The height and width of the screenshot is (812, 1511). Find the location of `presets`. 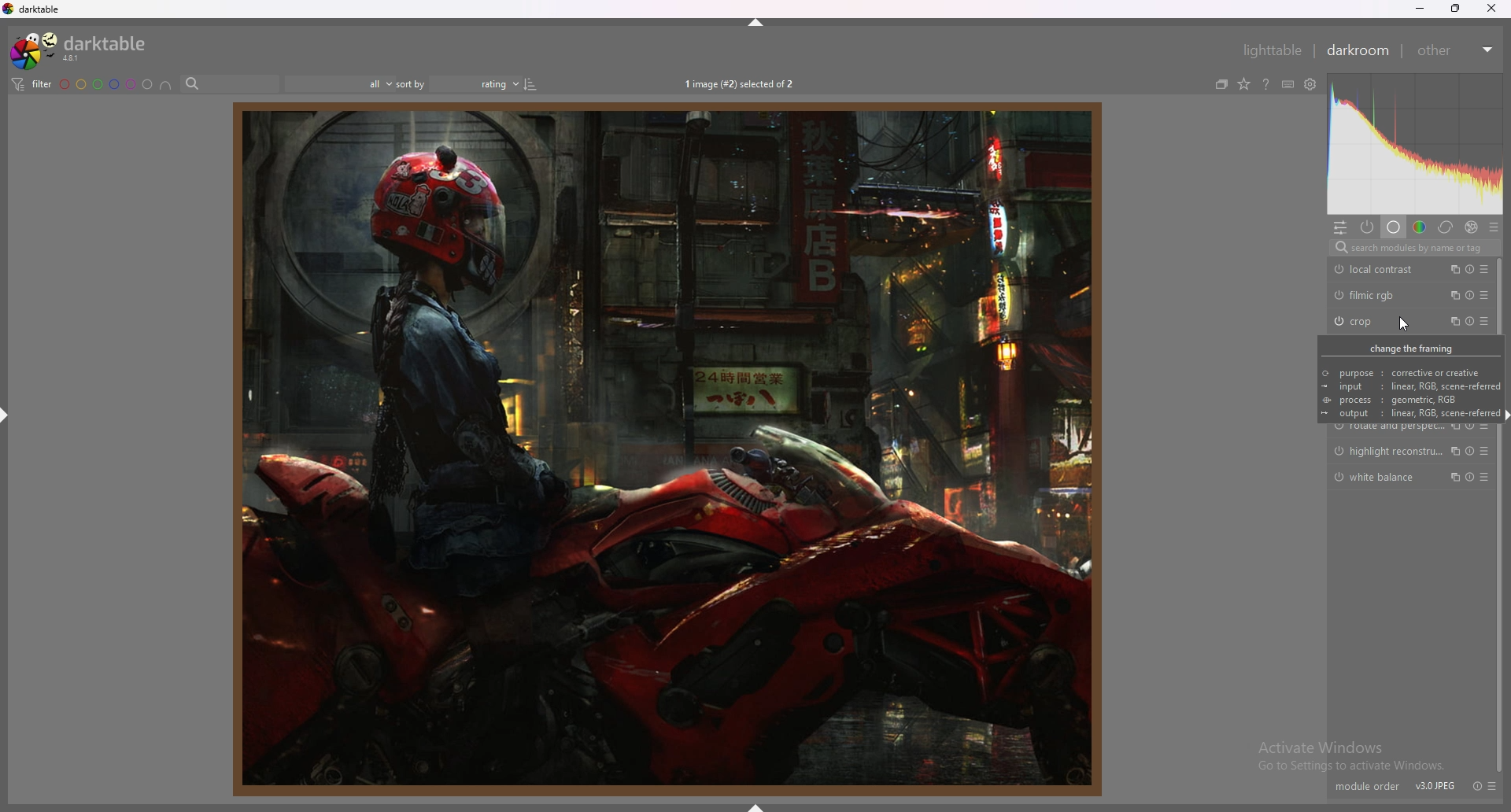

presets is located at coordinates (1484, 477).